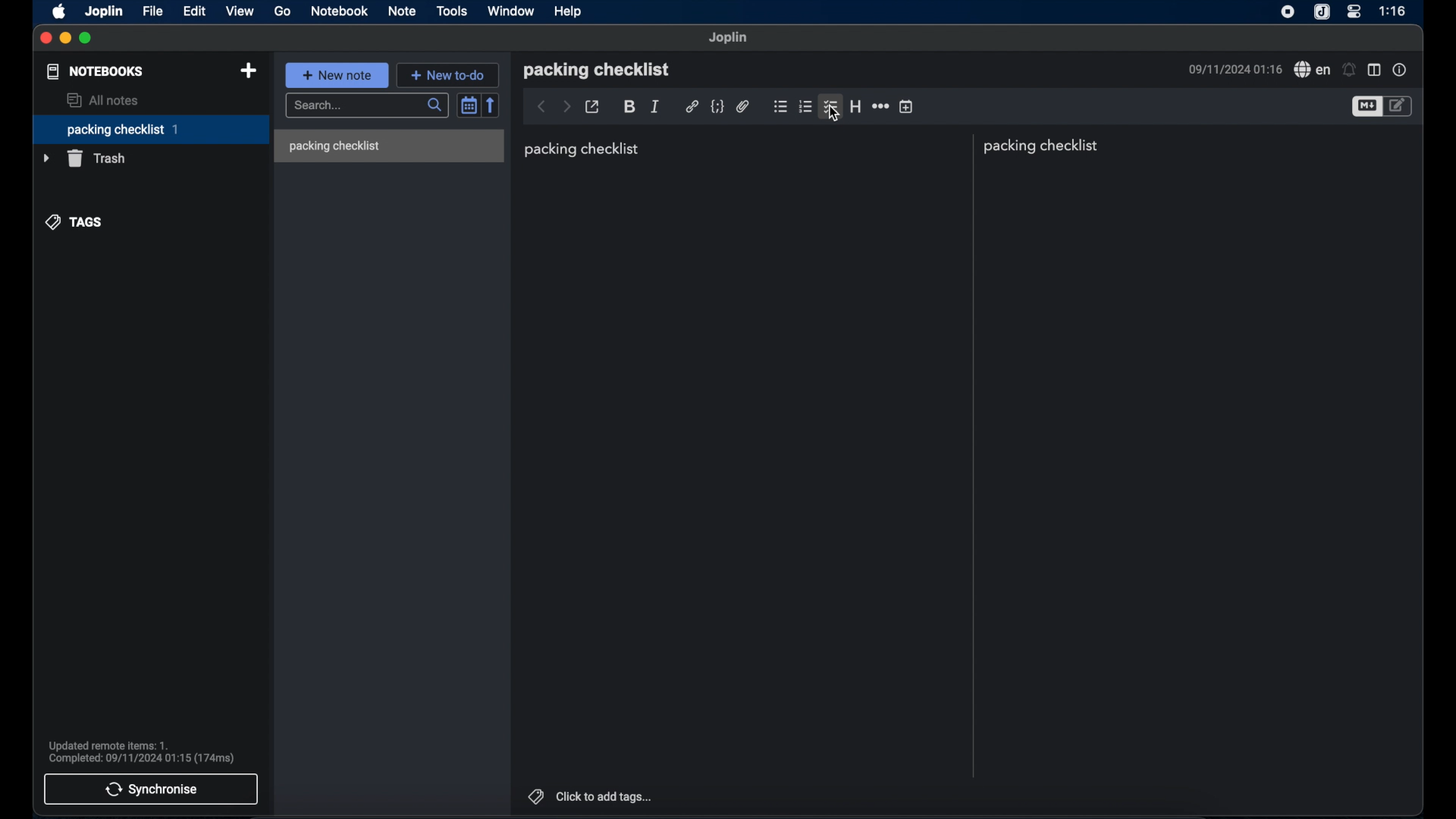 This screenshot has width=1456, height=819. I want to click on packing checklist, so click(596, 70).